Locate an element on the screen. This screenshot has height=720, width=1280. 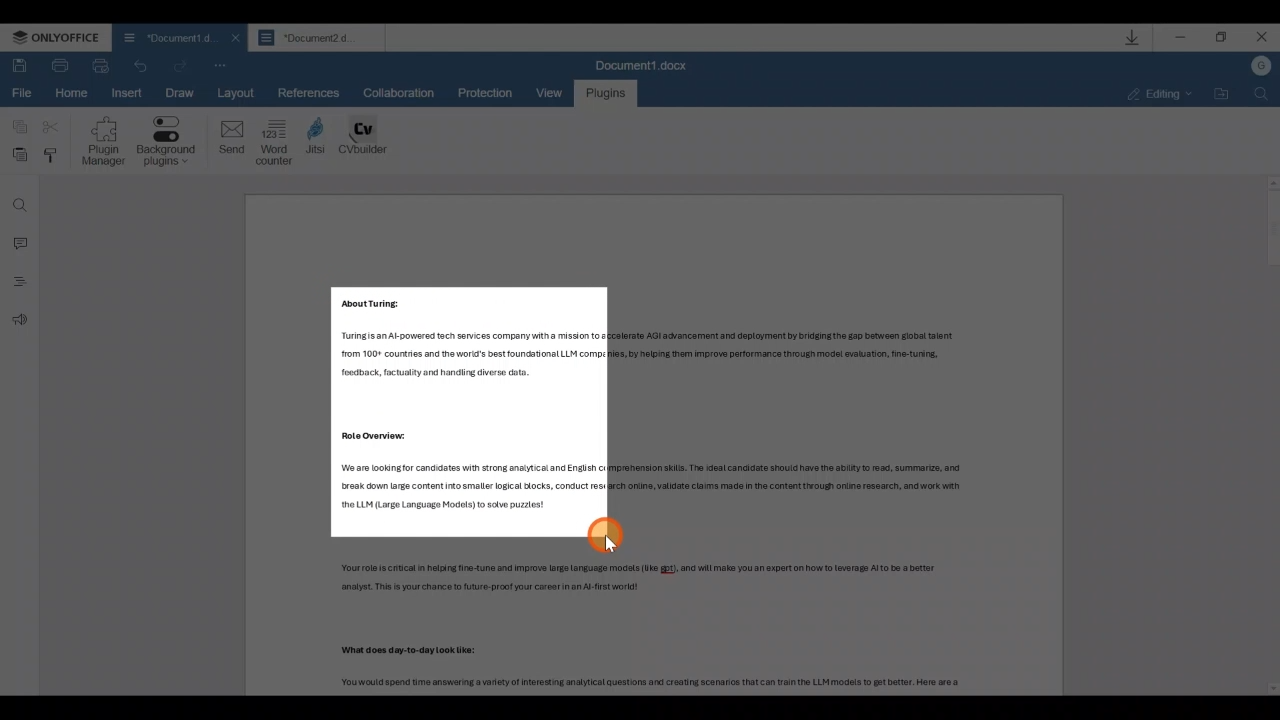
Open file location is located at coordinates (1218, 94).